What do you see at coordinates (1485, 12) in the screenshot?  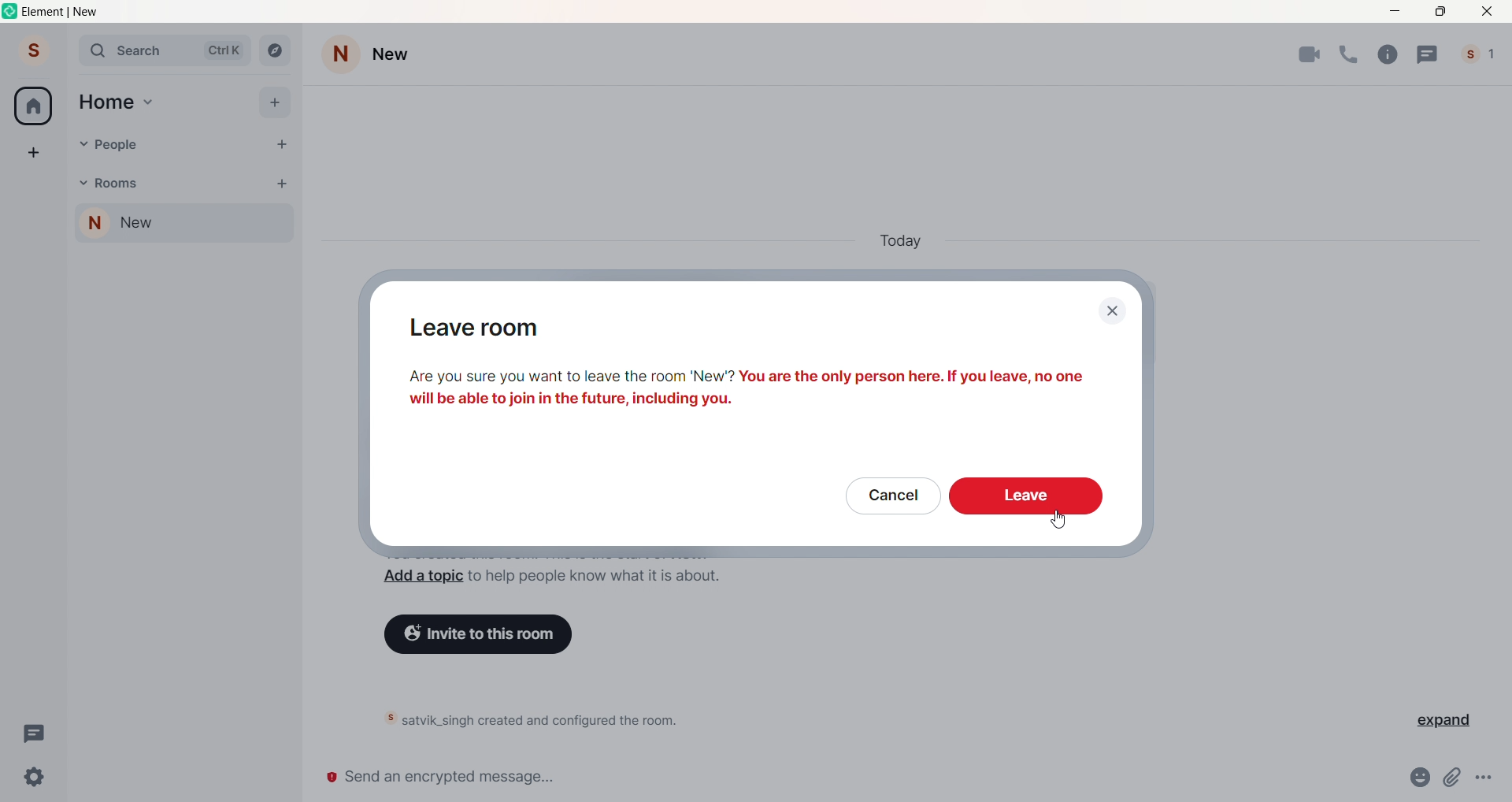 I see `Close` at bounding box center [1485, 12].